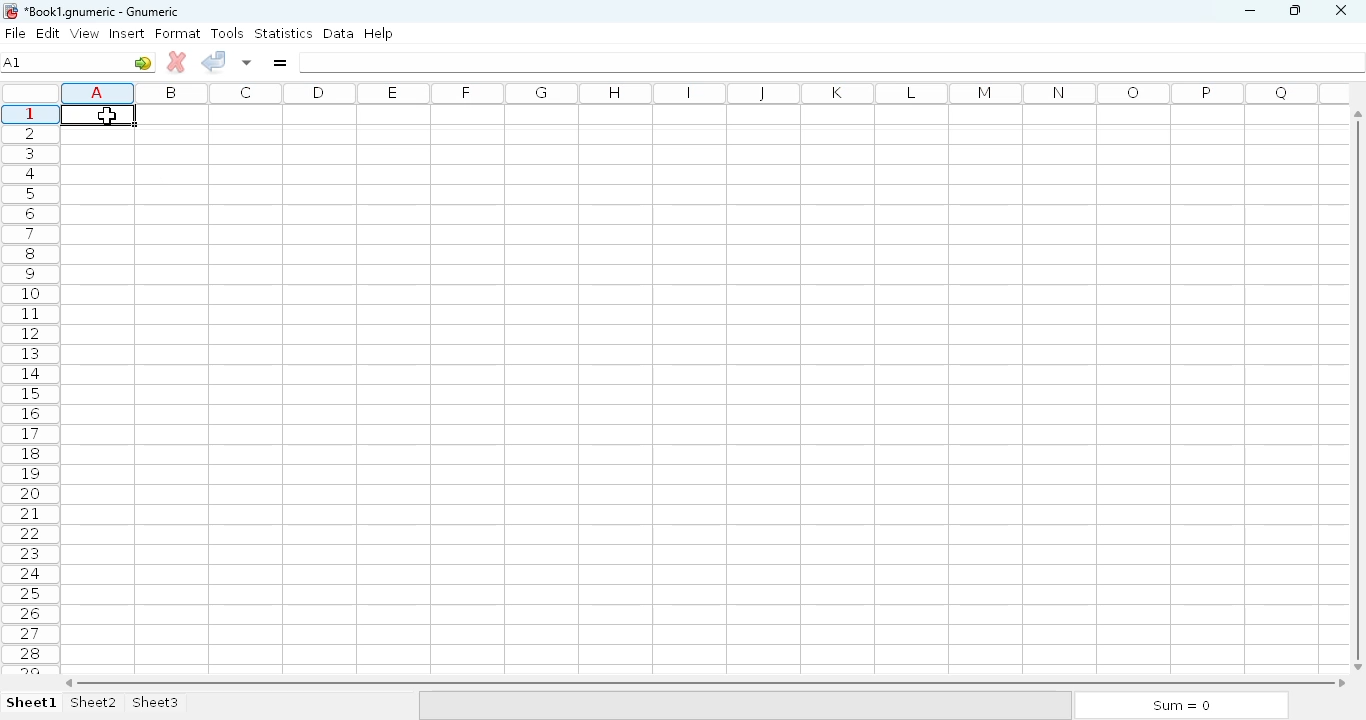 This screenshot has width=1366, height=720. Describe the element at coordinates (103, 12) in the screenshot. I see `title` at that location.